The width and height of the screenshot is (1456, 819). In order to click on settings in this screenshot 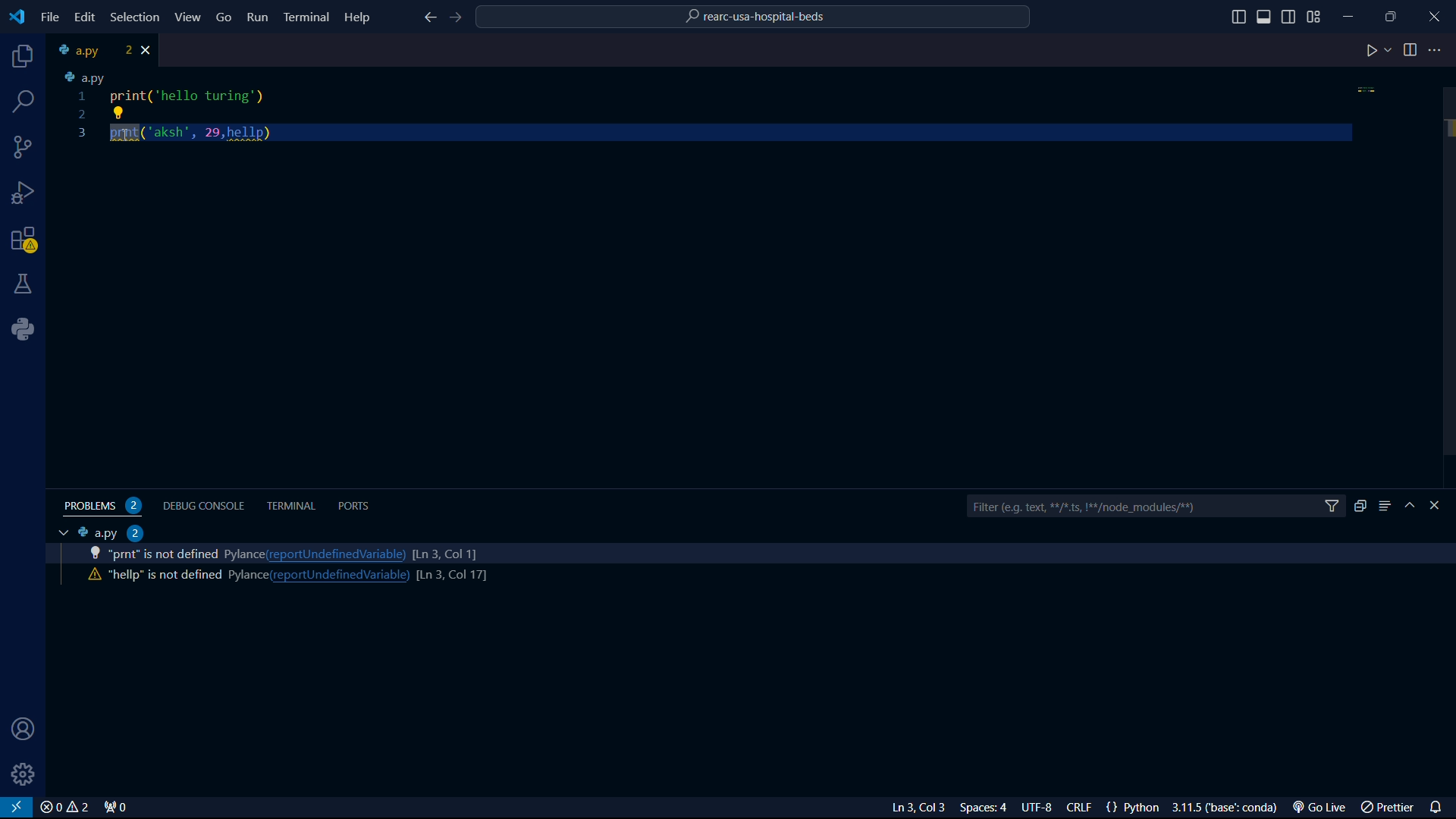, I will do `click(24, 774)`.